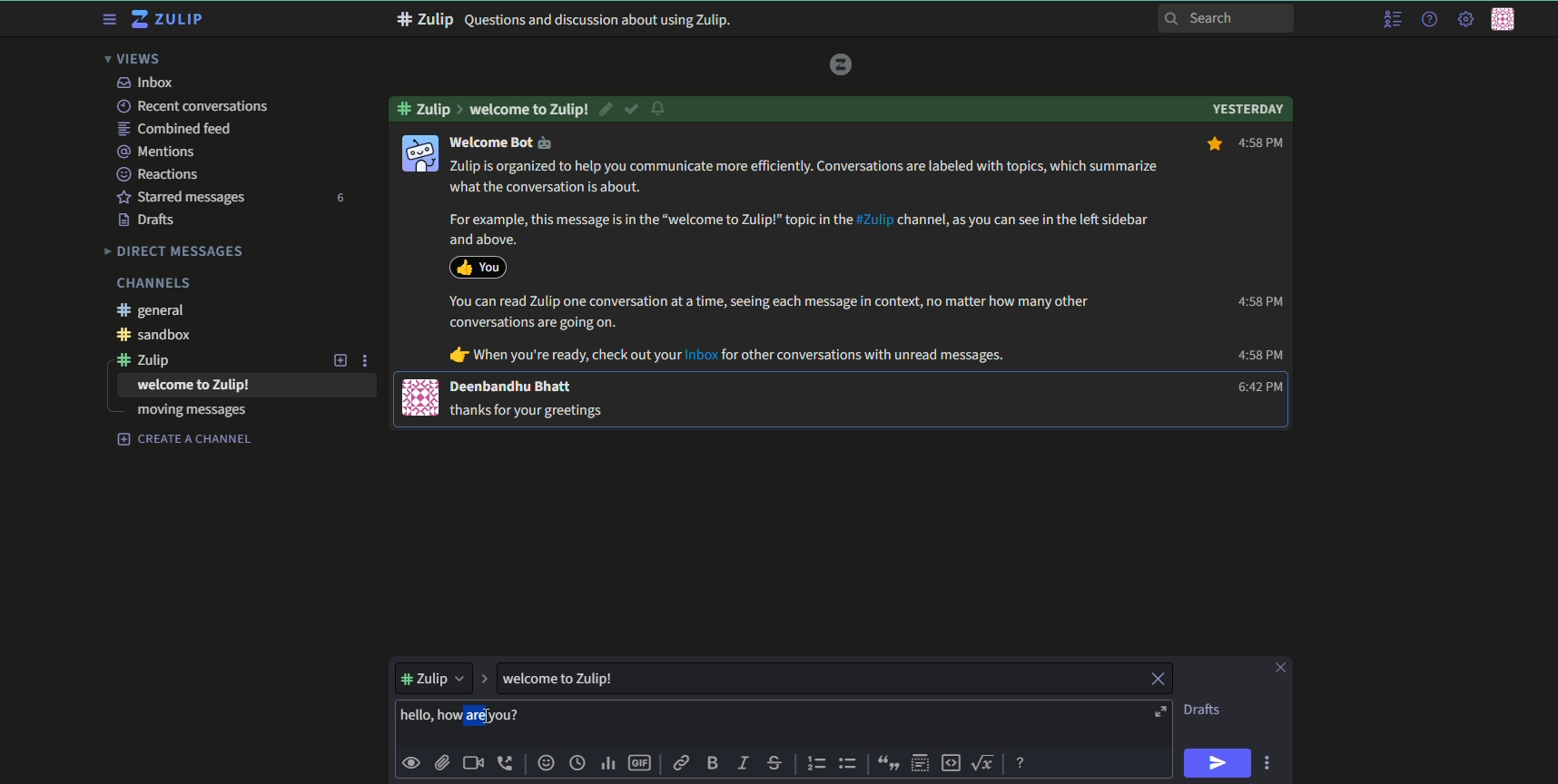  What do you see at coordinates (107, 20) in the screenshot?
I see `menu` at bounding box center [107, 20].